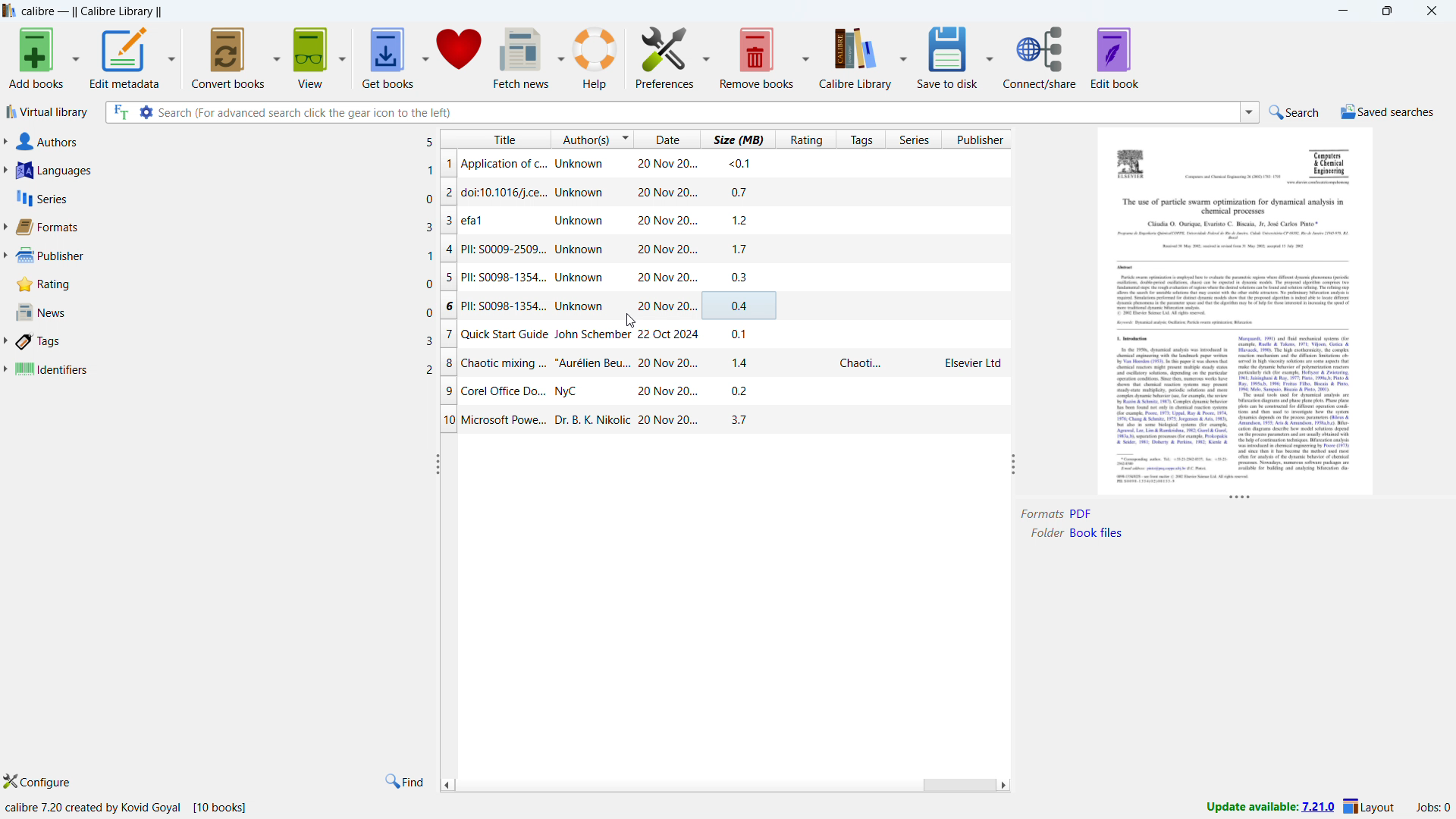 The width and height of the screenshot is (1456, 819). Describe the element at coordinates (9, 10) in the screenshot. I see `logo` at that location.